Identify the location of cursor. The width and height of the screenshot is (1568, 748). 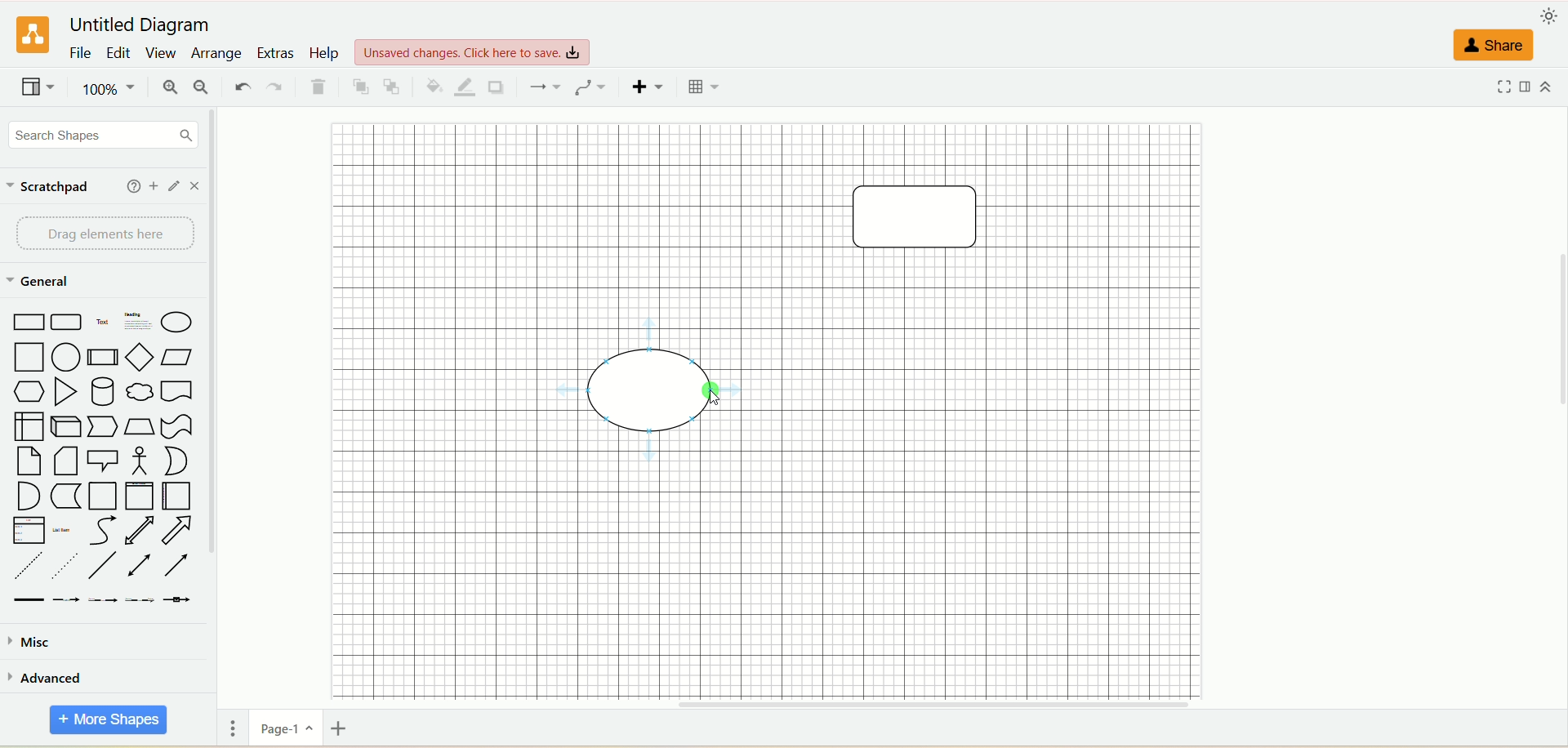
(711, 394).